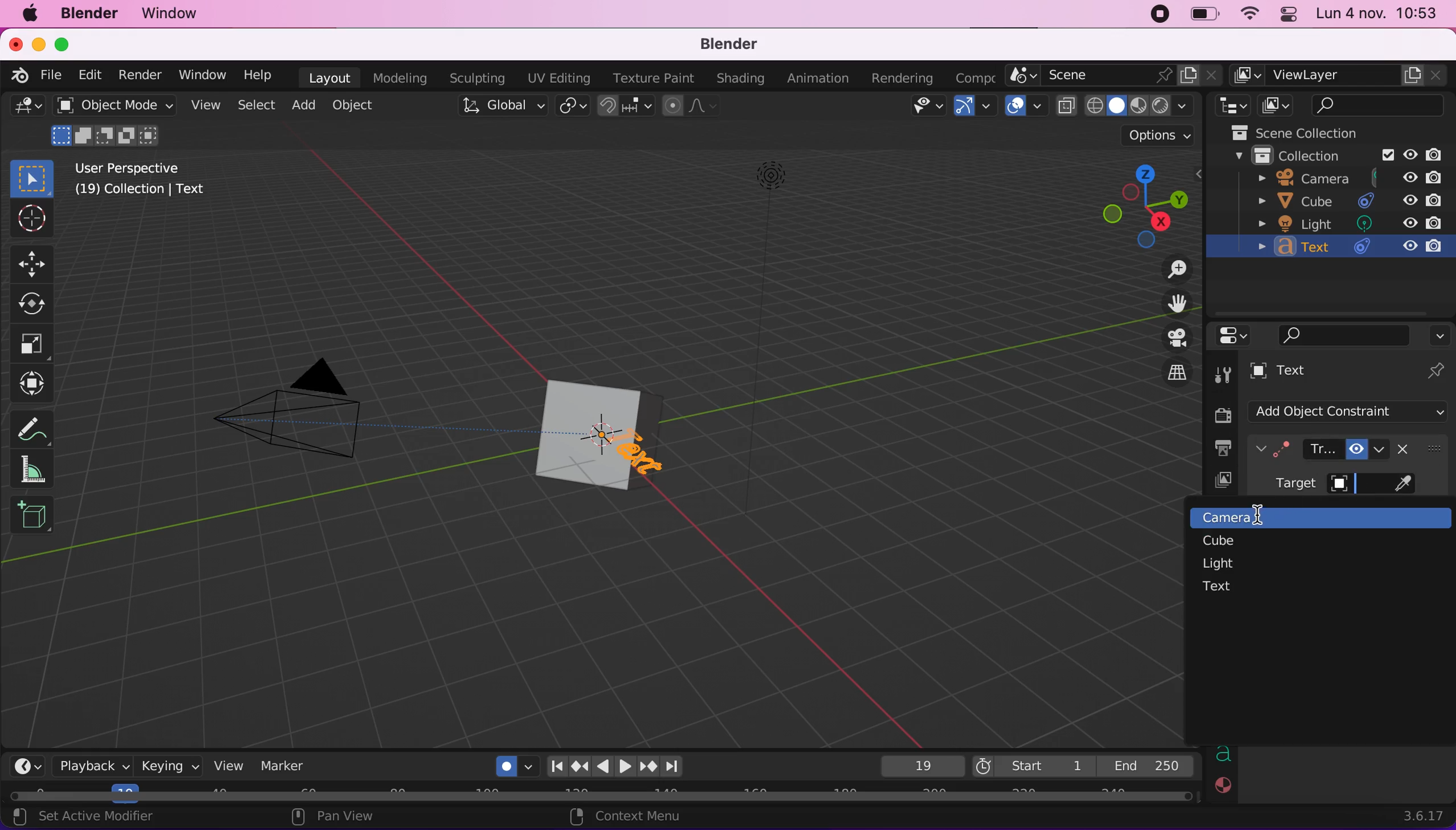 This screenshot has height=830, width=1456. Describe the element at coordinates (655, 817) in the screenshot. I see `context menu` at that location.